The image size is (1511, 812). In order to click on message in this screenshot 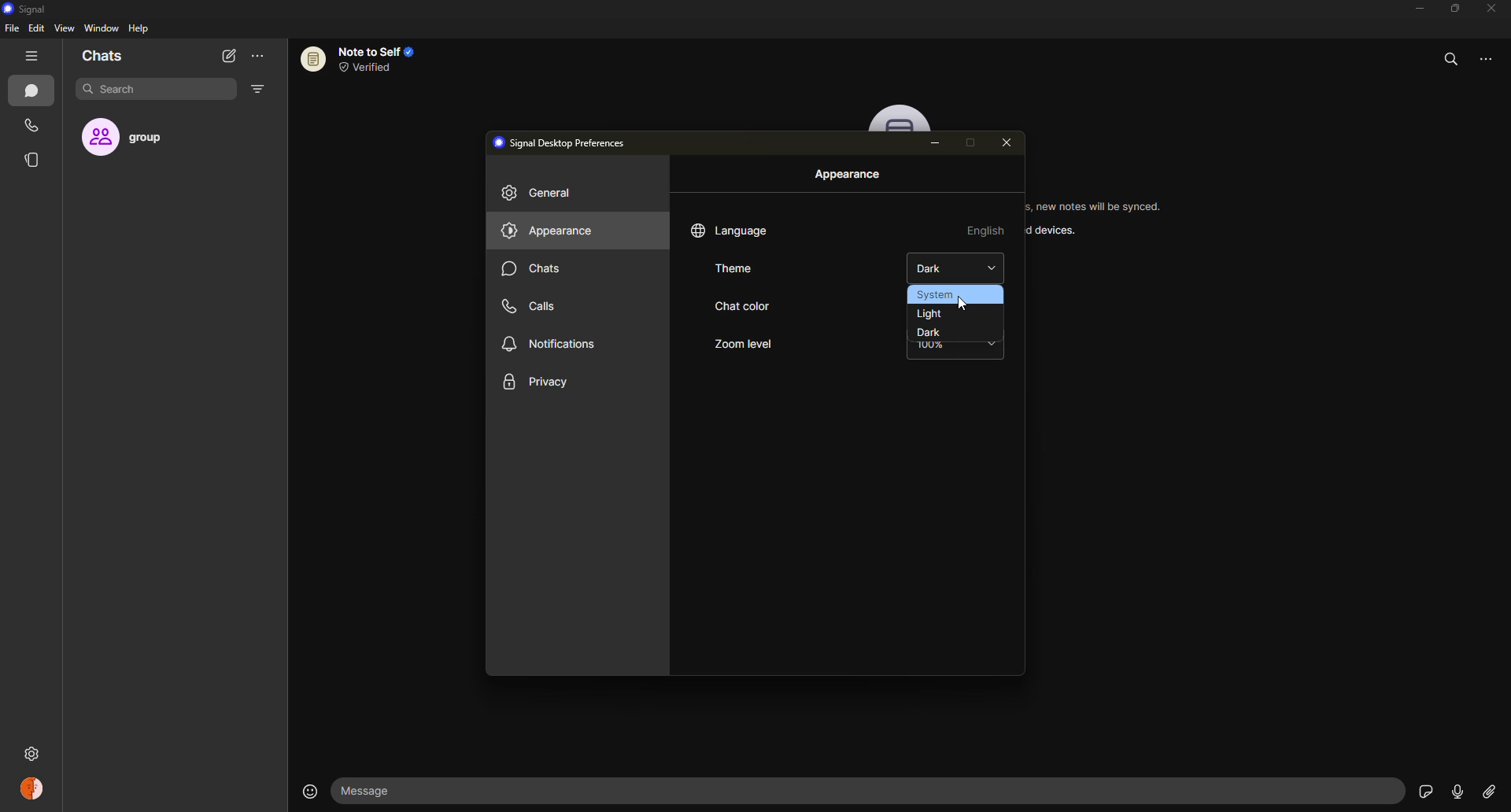, I will do `click(439, 792)`.